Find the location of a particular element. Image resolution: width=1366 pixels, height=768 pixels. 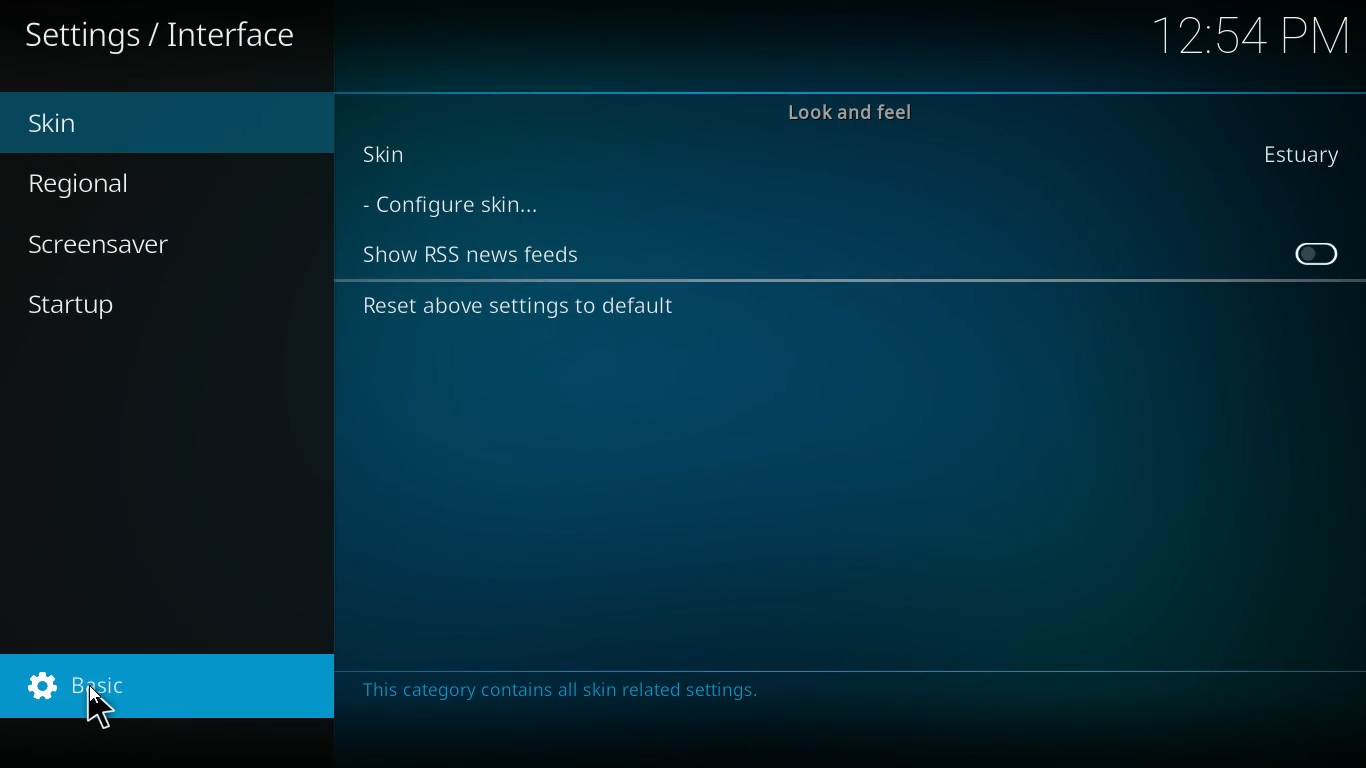

look and feel is located at coordinates (855, 109).